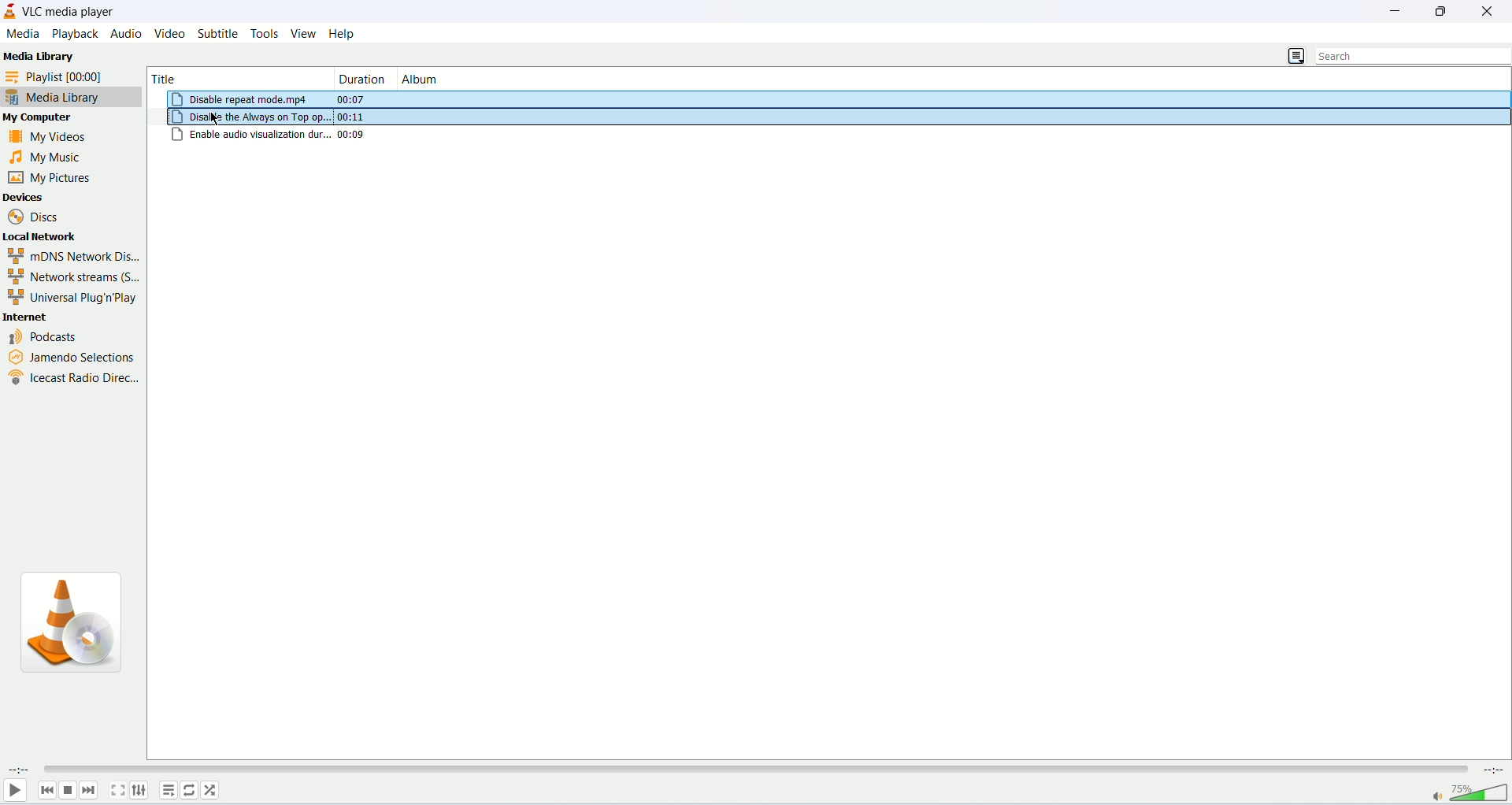 Image resolution: width=1512 pixels, height=805 pixels. I want to click on previous, so click(47, 790).